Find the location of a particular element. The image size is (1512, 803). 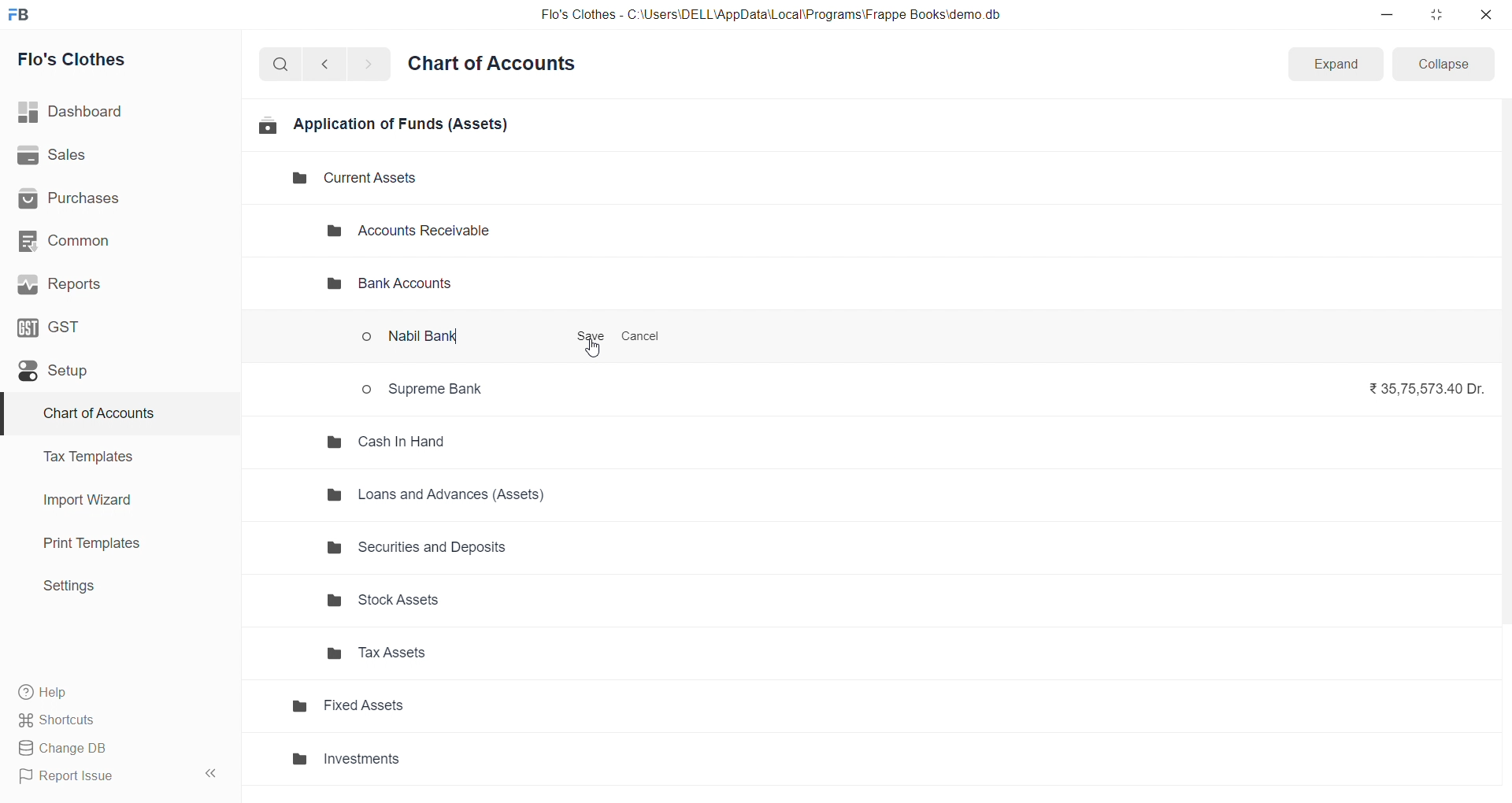

Chart of Accounts is located at coordinates (110, 414).